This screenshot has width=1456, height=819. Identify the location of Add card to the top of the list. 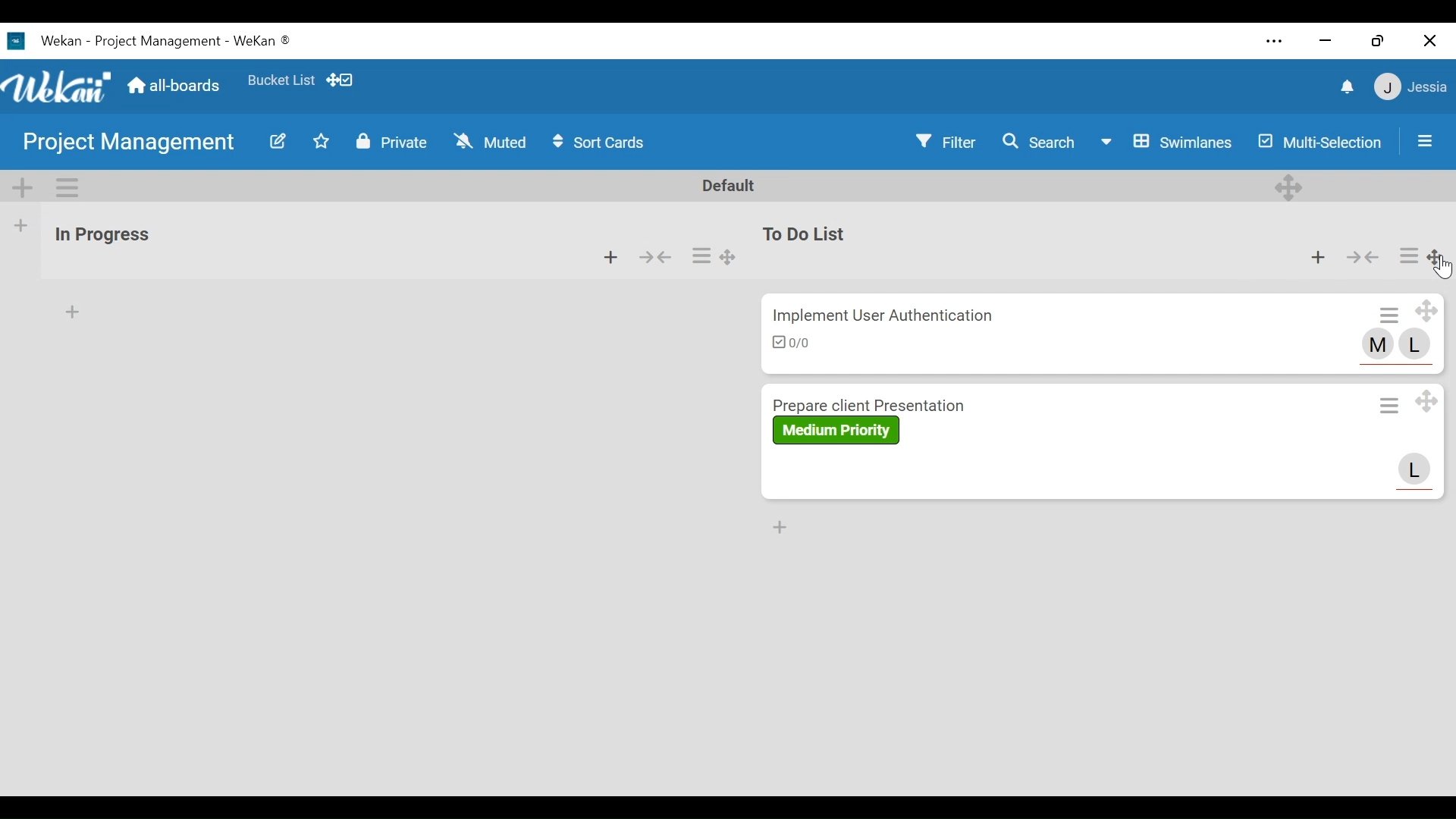
(74, 312).